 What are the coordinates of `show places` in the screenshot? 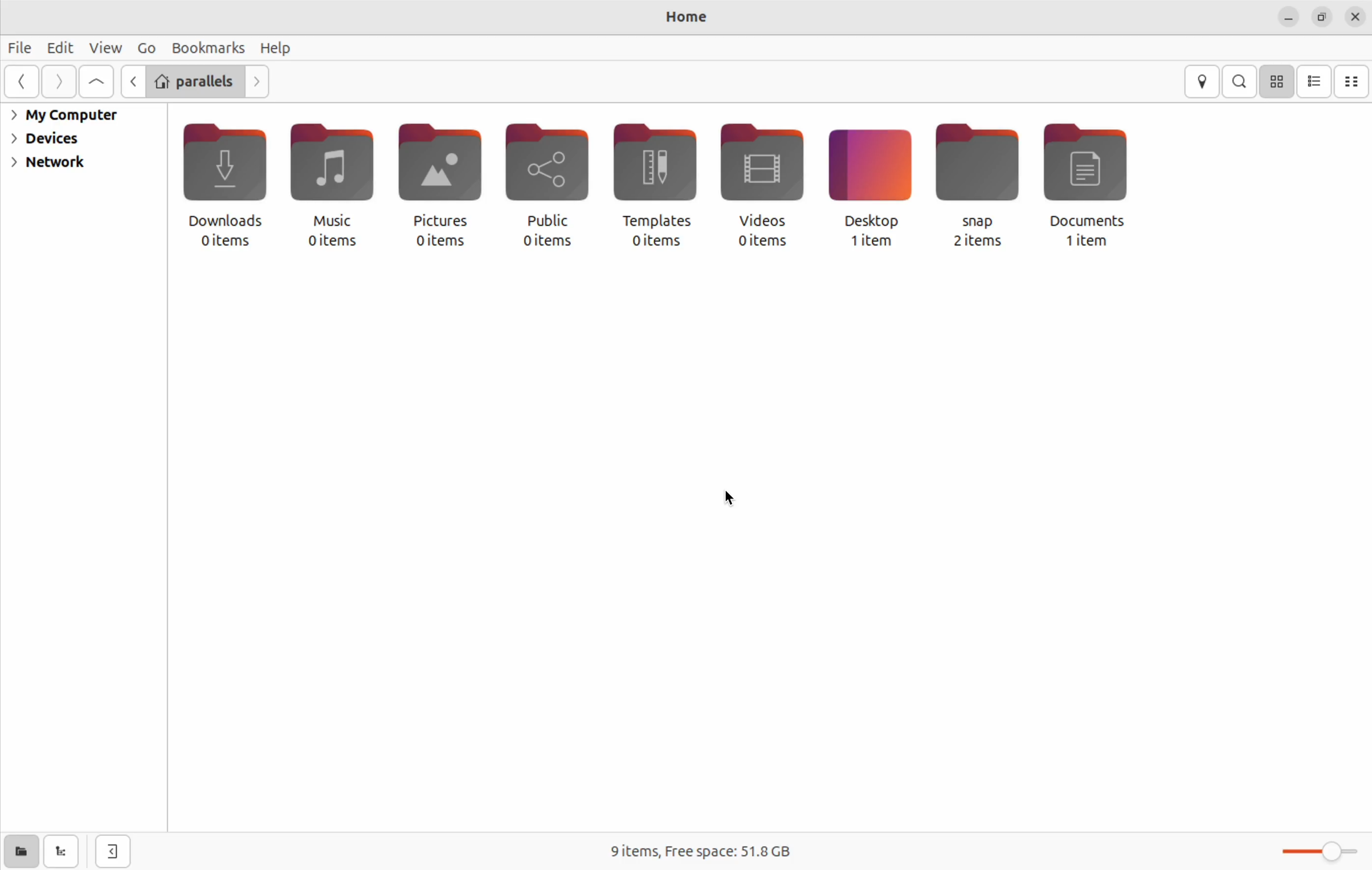 It's located at (18, 853).